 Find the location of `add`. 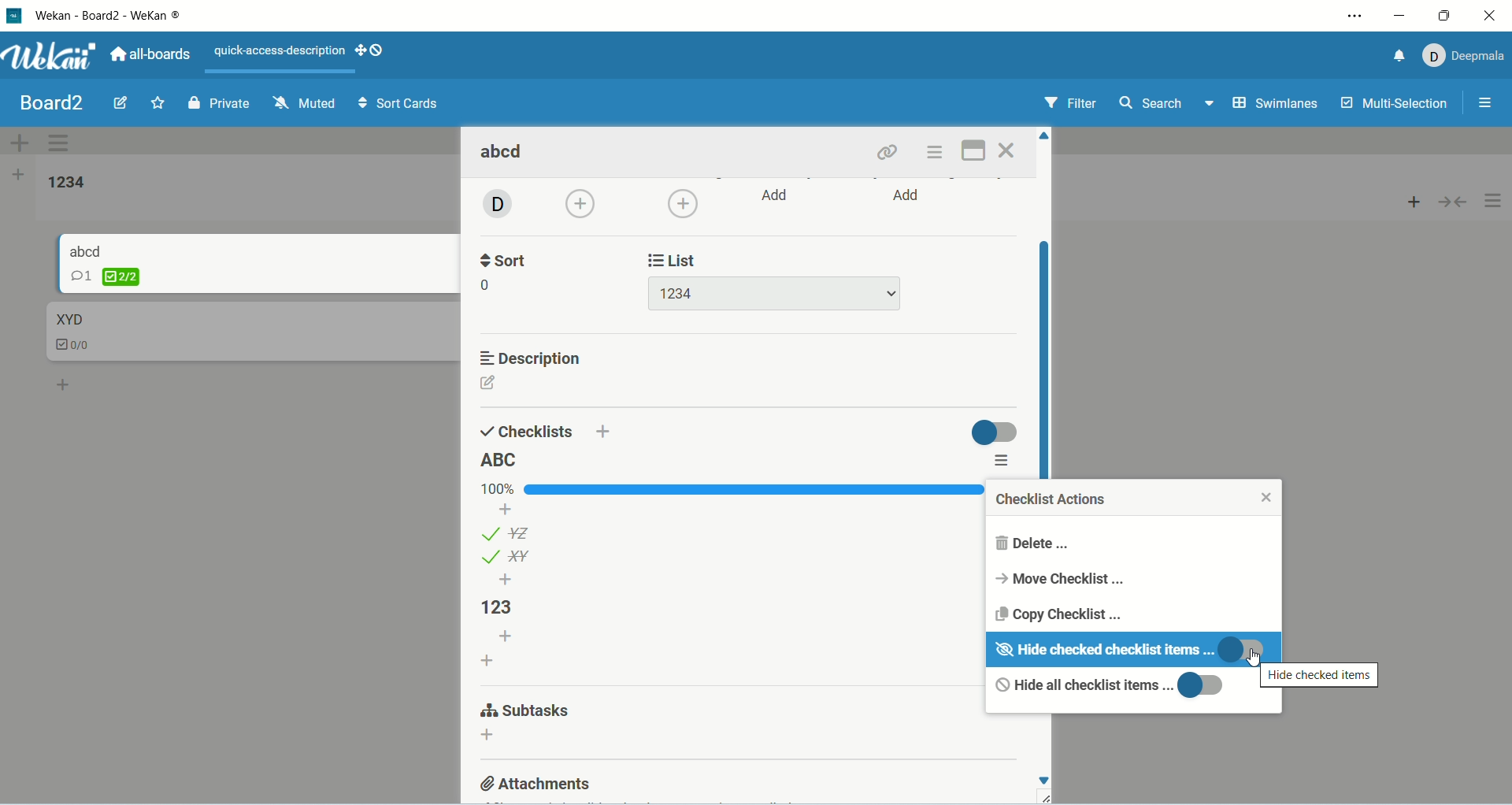

add is located at coordinates (65, 384).